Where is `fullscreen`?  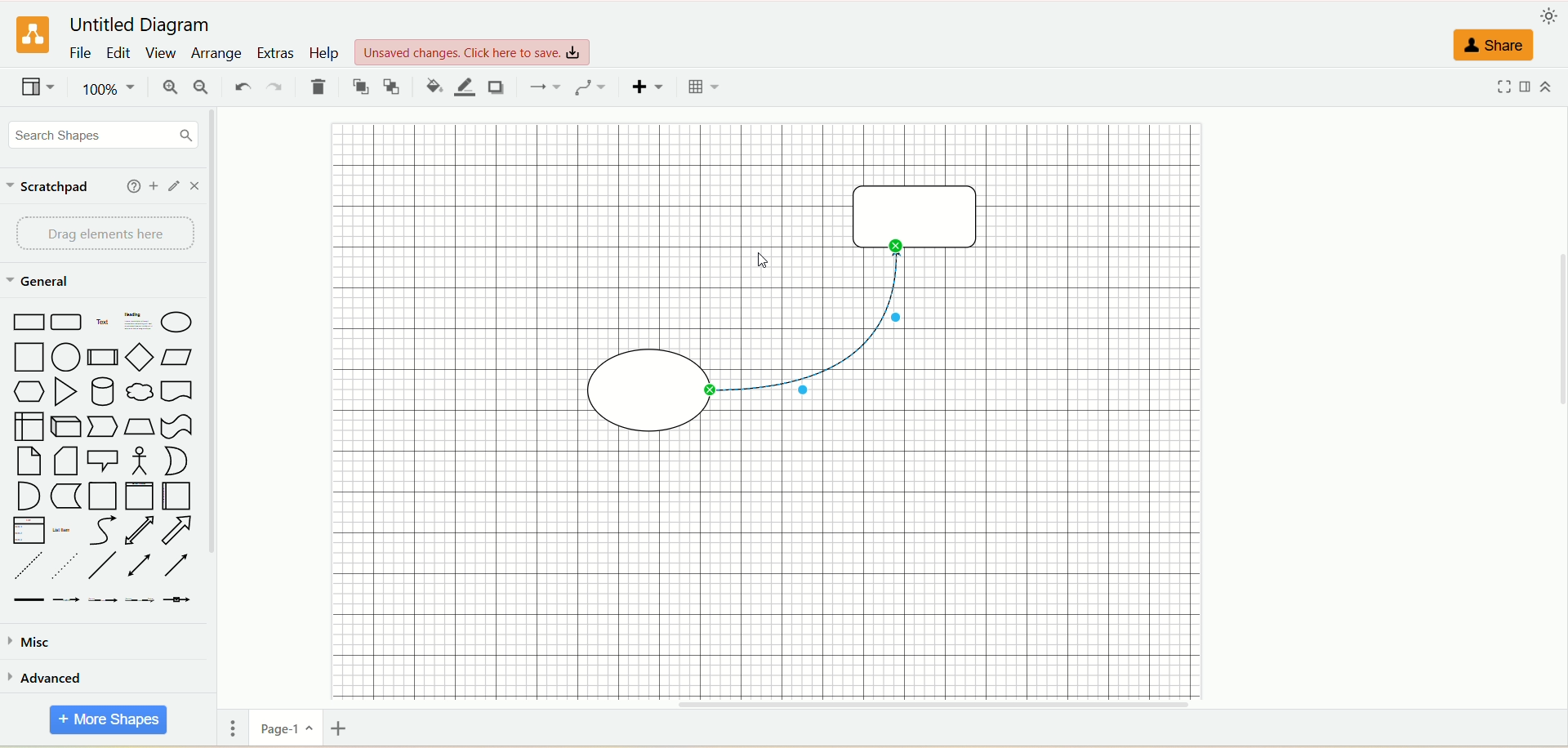
fullscreen is located at coordinates (1502, 87).